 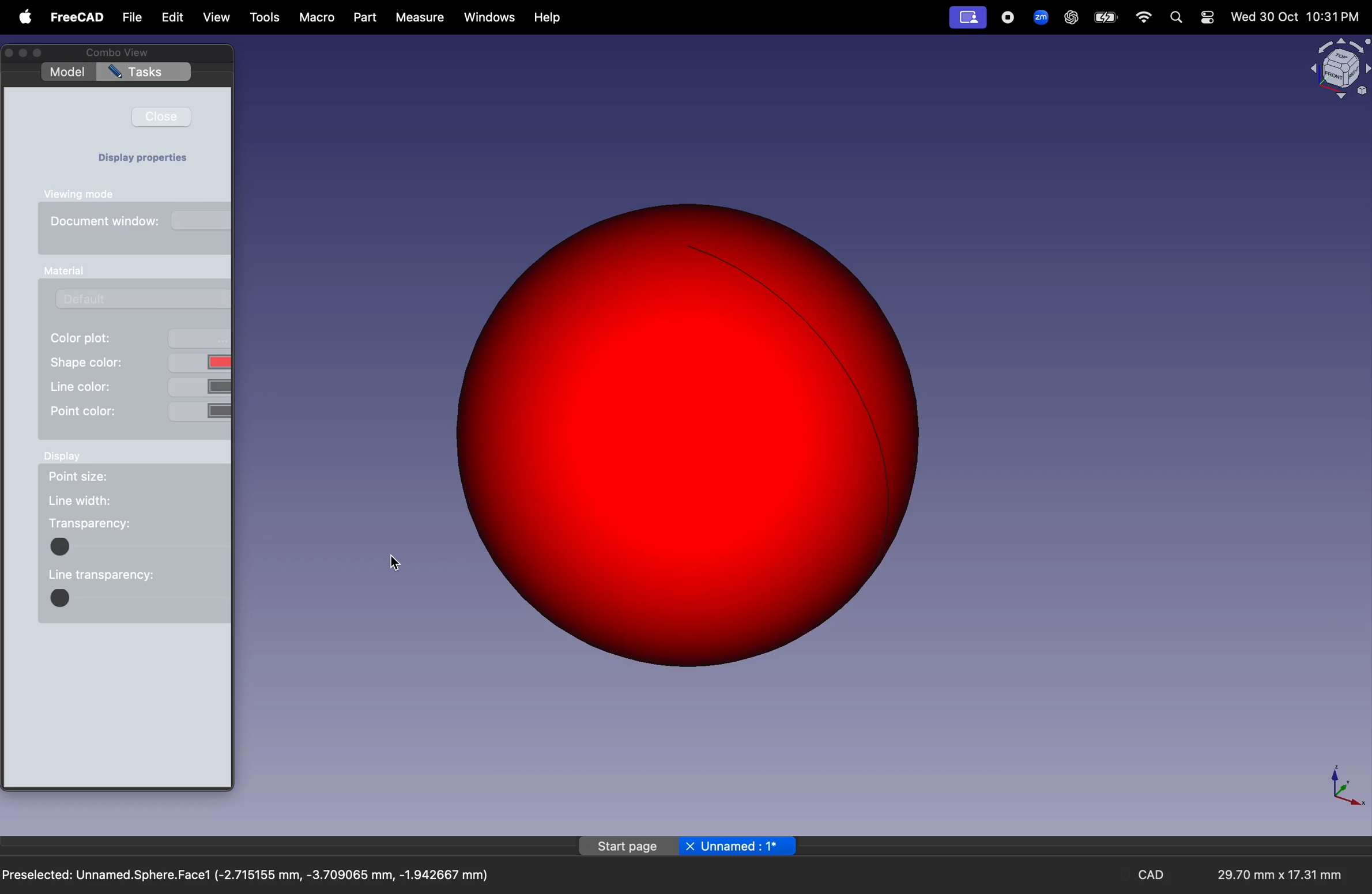 What do you see at coordinates (1009, 17) in the screenshot?
I see `record` at bounding box center [1009, 17].